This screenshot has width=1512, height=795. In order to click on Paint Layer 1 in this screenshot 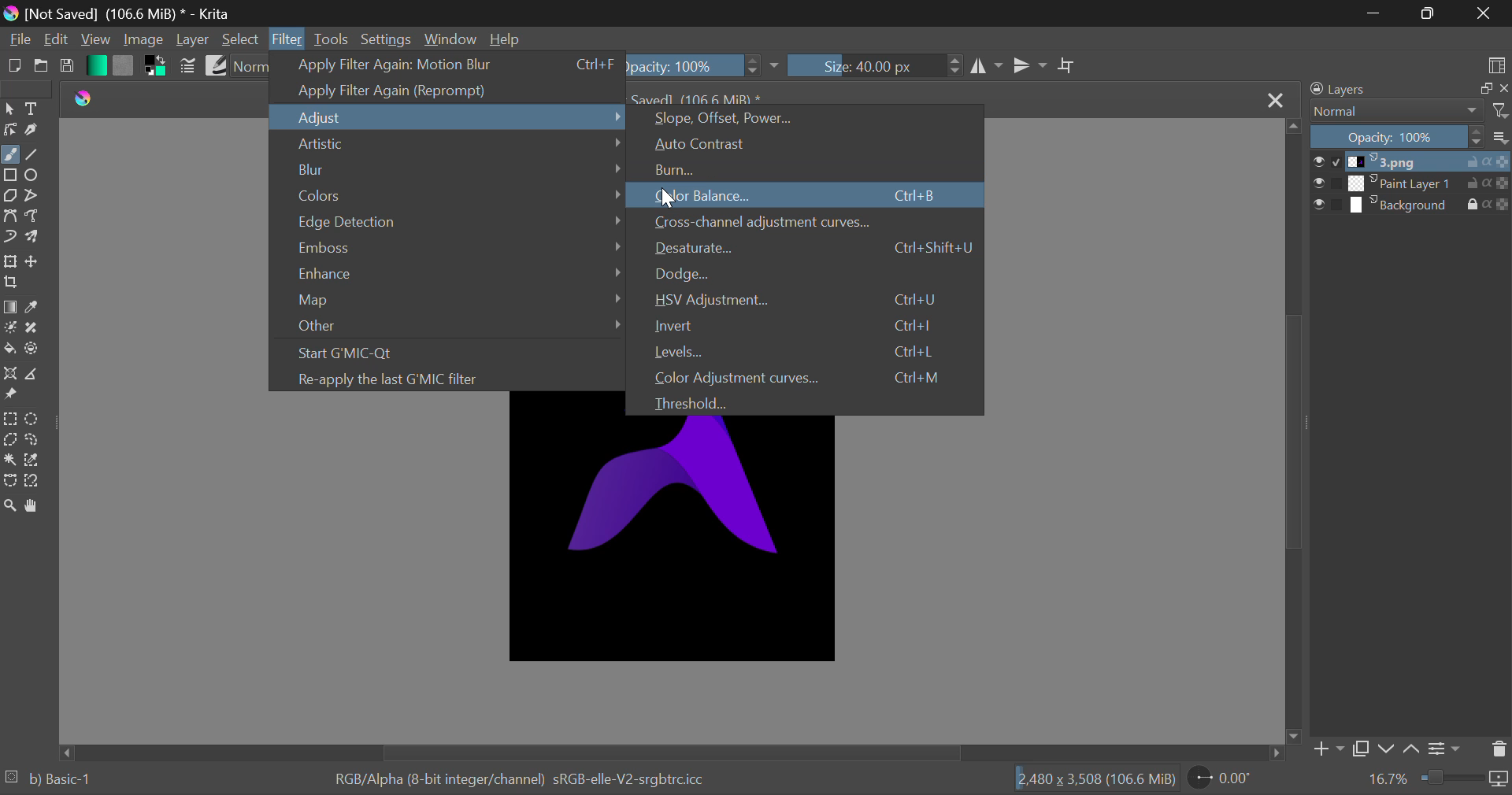, I will do `click(1411, 183)`.